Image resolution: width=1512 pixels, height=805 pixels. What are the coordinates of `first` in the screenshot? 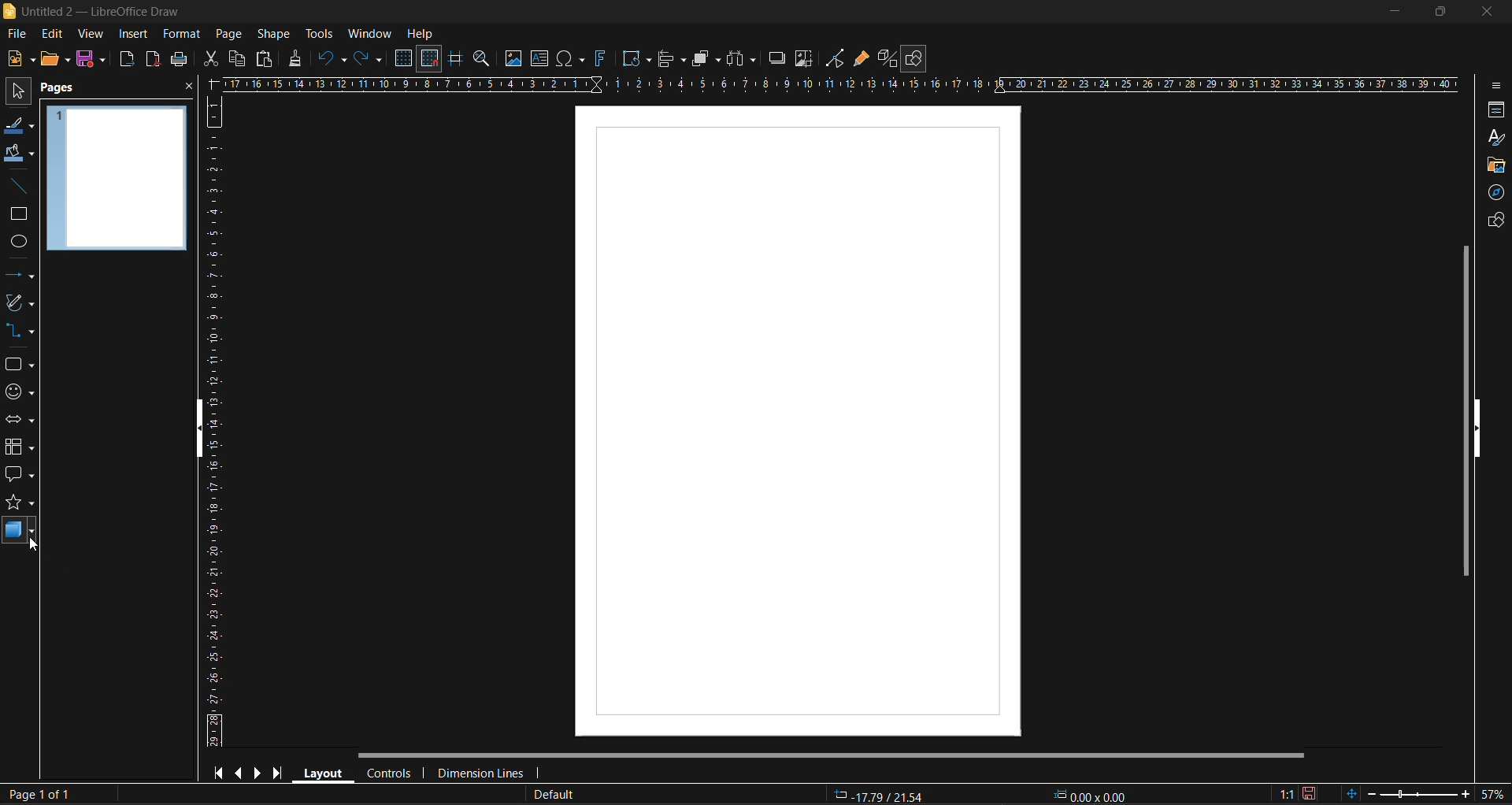 It's located at (222, 773).